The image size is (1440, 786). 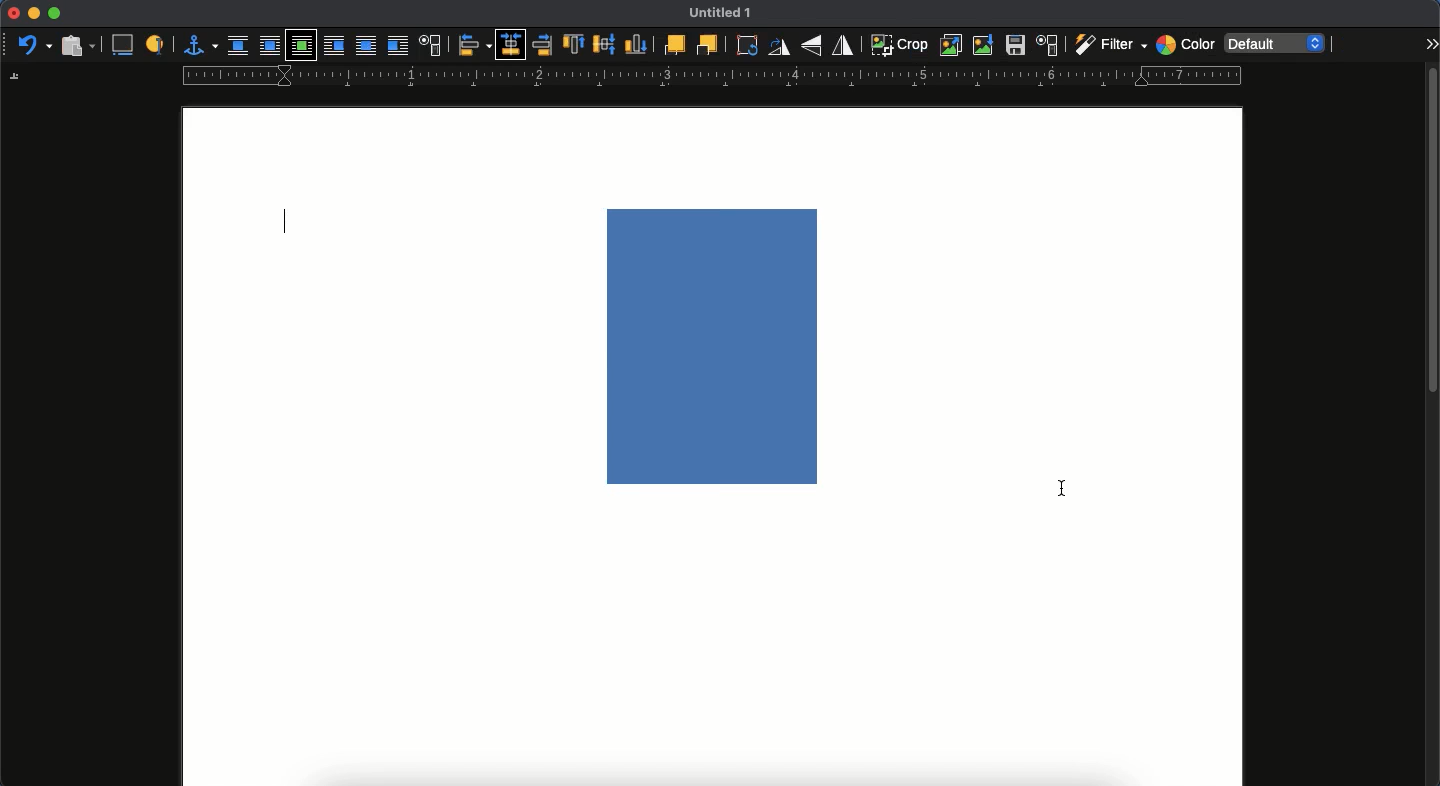 I want to click on minimize , so click(x=34, y=13).